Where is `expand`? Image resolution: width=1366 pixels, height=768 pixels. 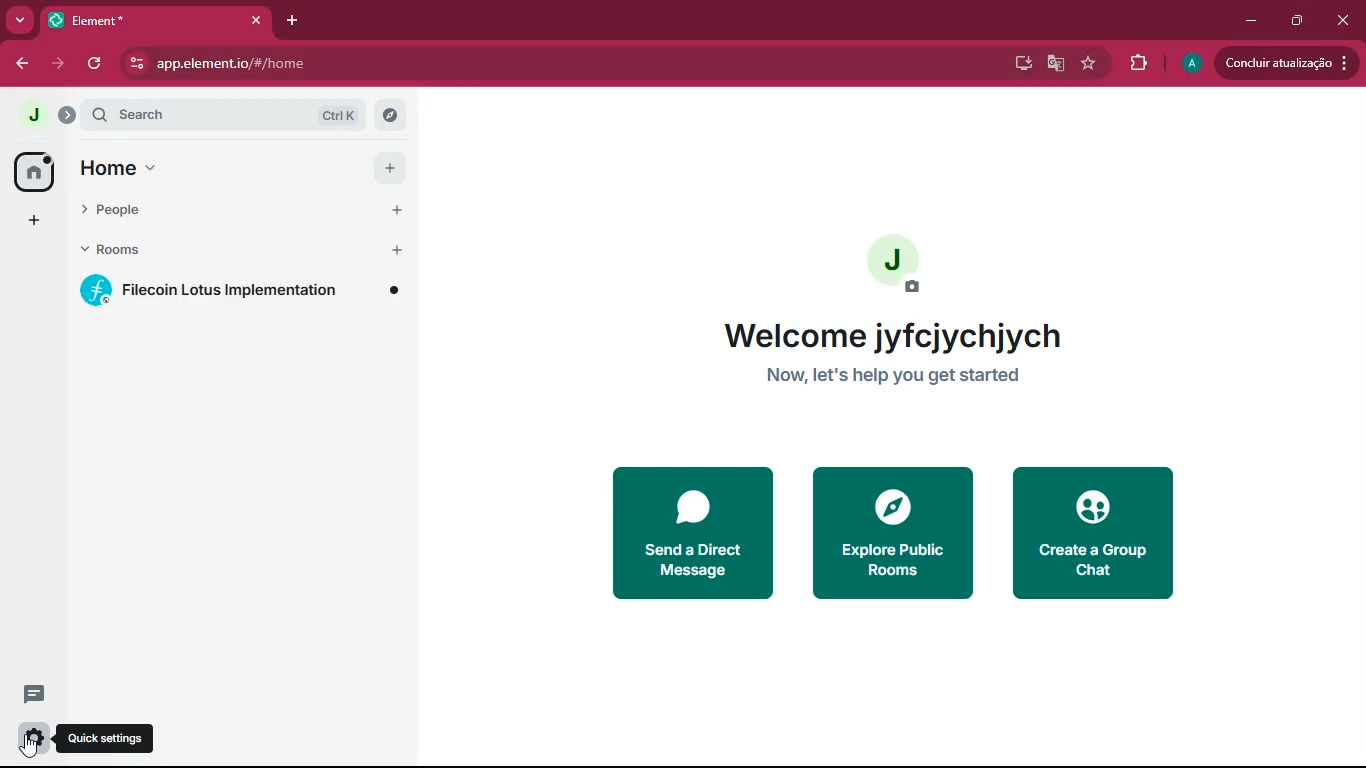
expand is located at coordinates (68, 115).